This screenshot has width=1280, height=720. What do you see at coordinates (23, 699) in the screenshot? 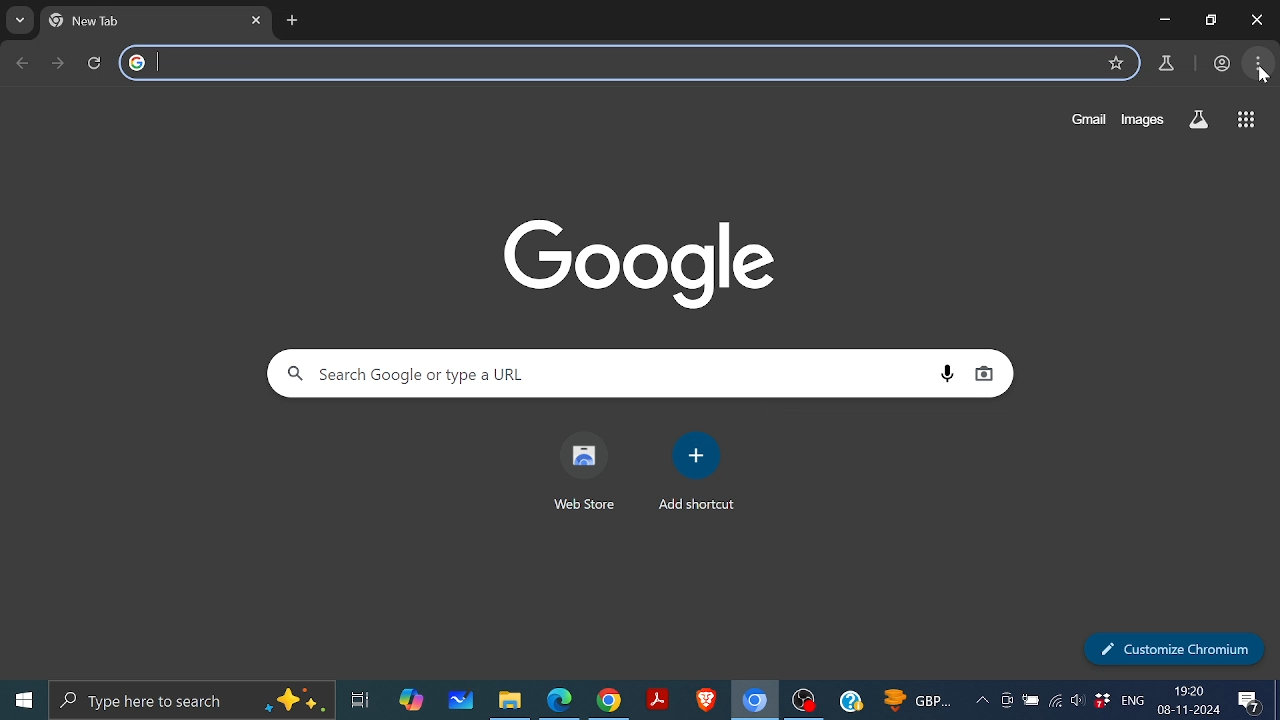
I see `Start` at bounding box center [23, 699].